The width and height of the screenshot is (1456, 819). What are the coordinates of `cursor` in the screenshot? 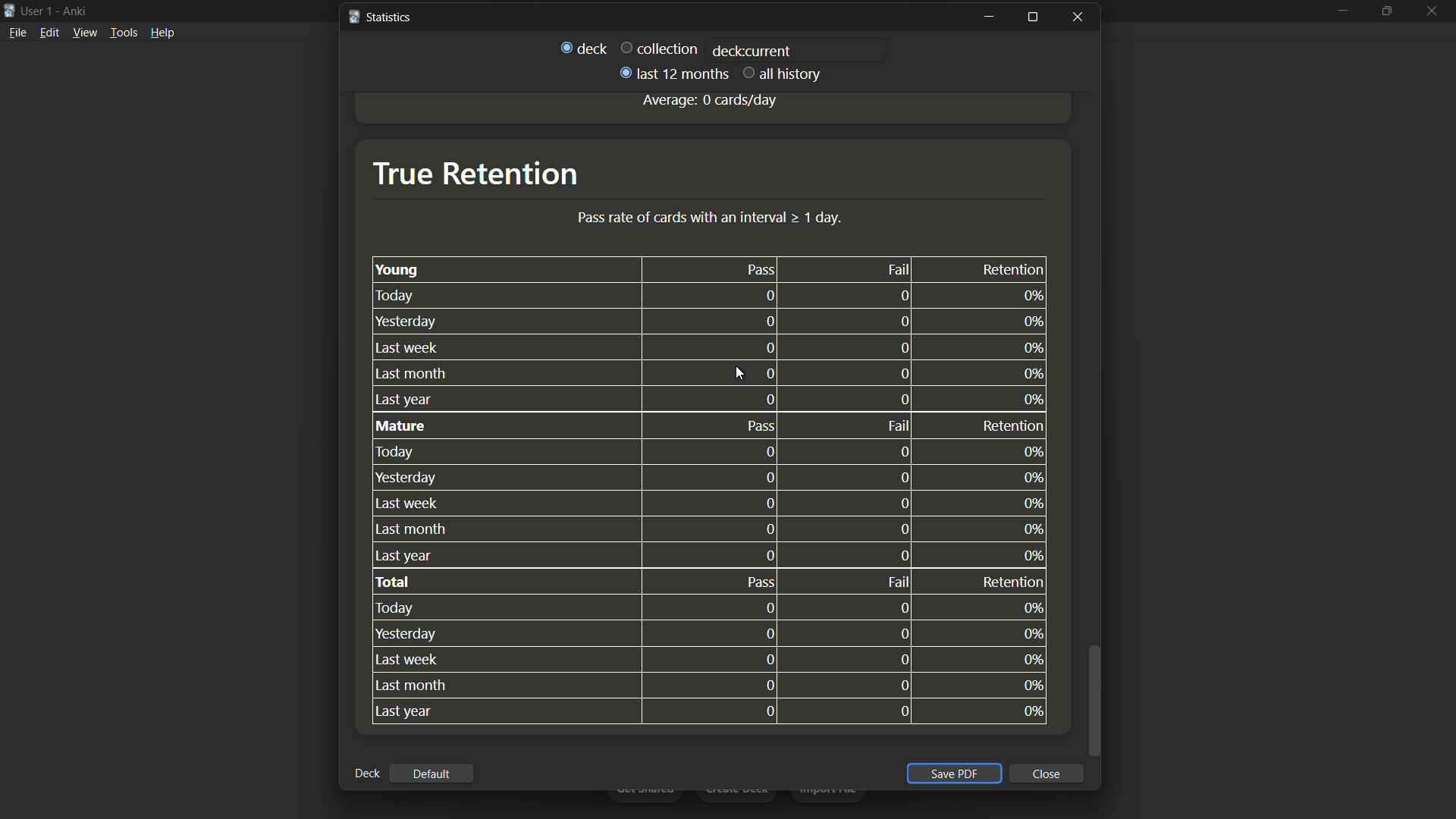 It's located at (740, 375).